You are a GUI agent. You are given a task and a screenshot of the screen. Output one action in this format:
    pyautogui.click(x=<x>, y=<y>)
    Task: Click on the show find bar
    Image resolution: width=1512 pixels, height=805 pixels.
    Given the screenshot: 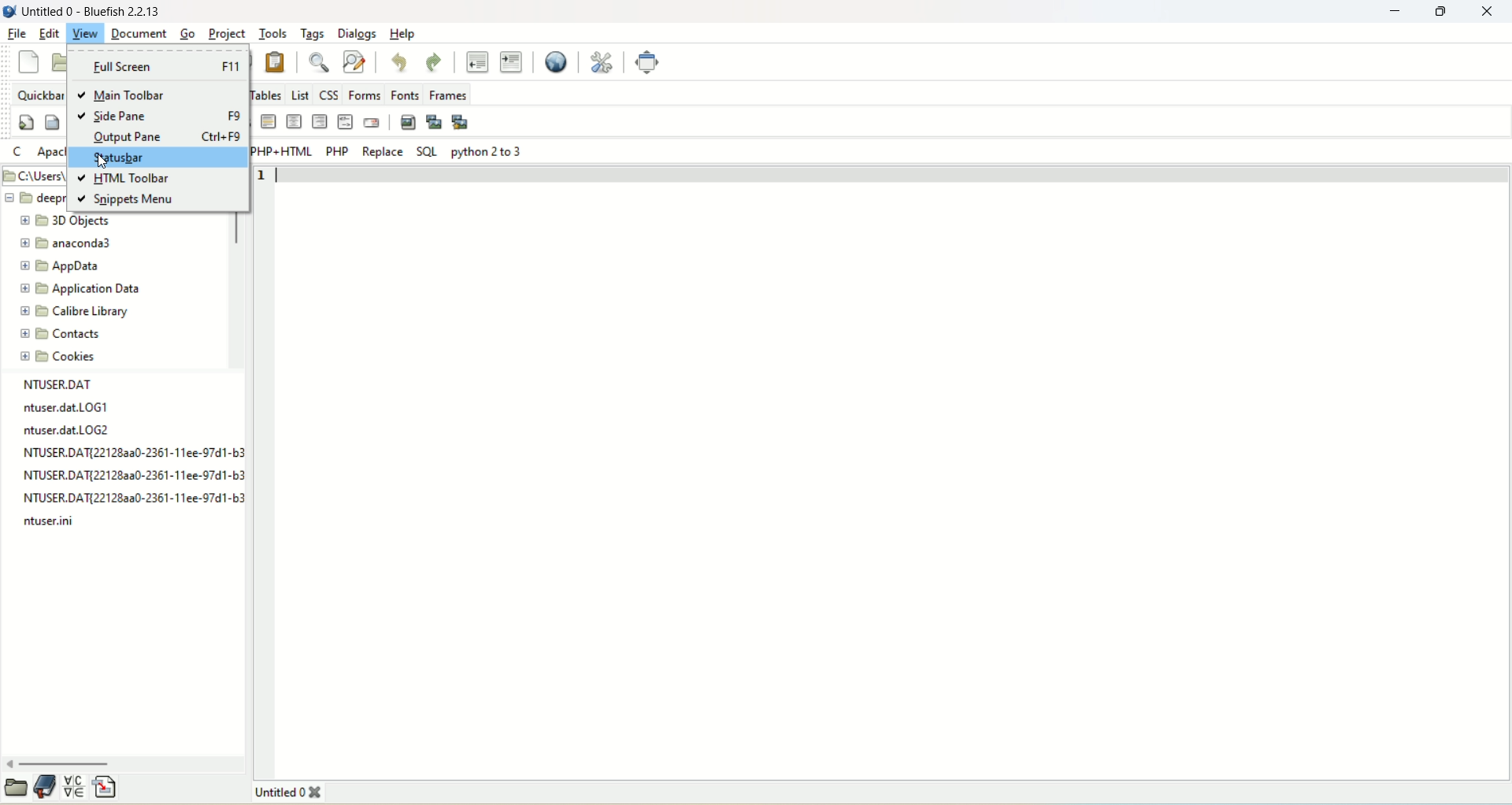 What is the action you would take?
    pyautogui.click(x=318, y=64)
    